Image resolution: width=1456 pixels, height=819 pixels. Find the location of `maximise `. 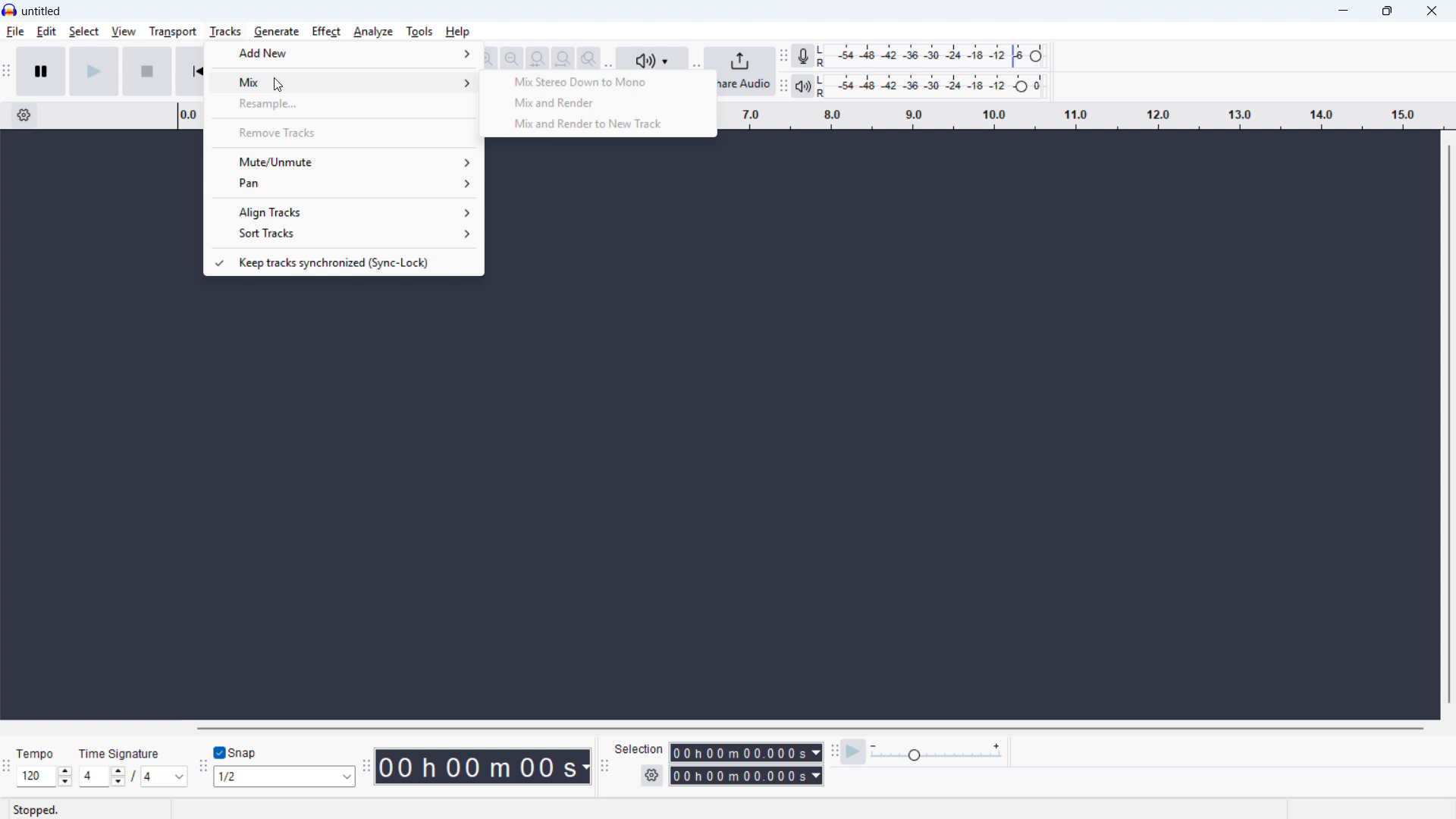

maximise  is located at coordinates (1388, 11).